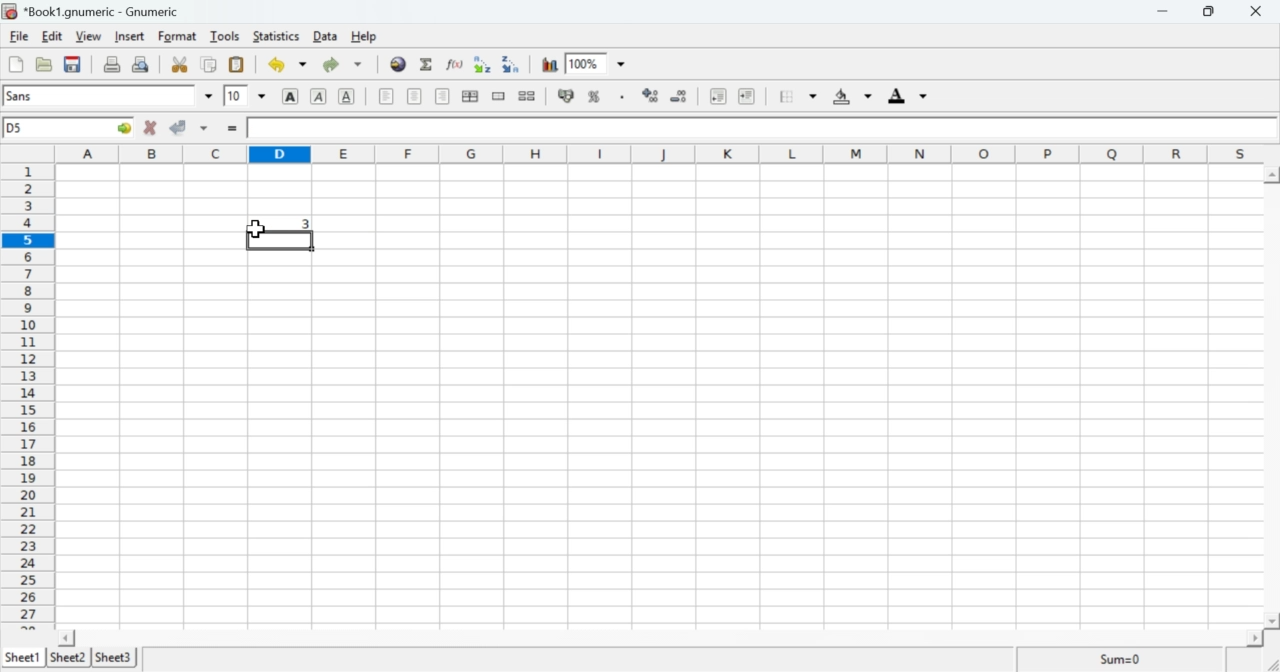 The image size is (1280, 672). I want to click on Decrease number of decimals, so click(682, 96).